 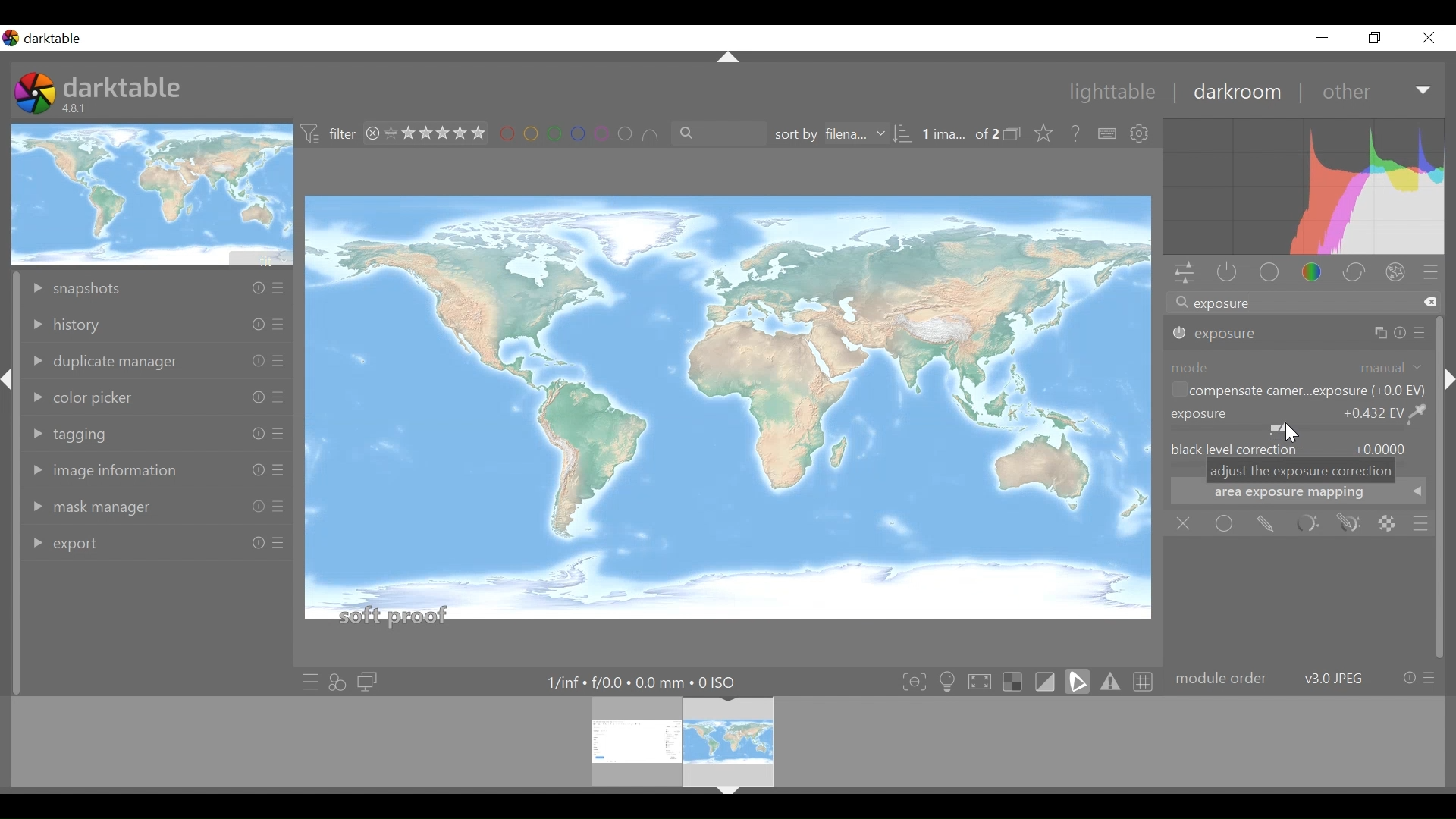 I want to click on parametric mask, so click(x=1307, y=524).